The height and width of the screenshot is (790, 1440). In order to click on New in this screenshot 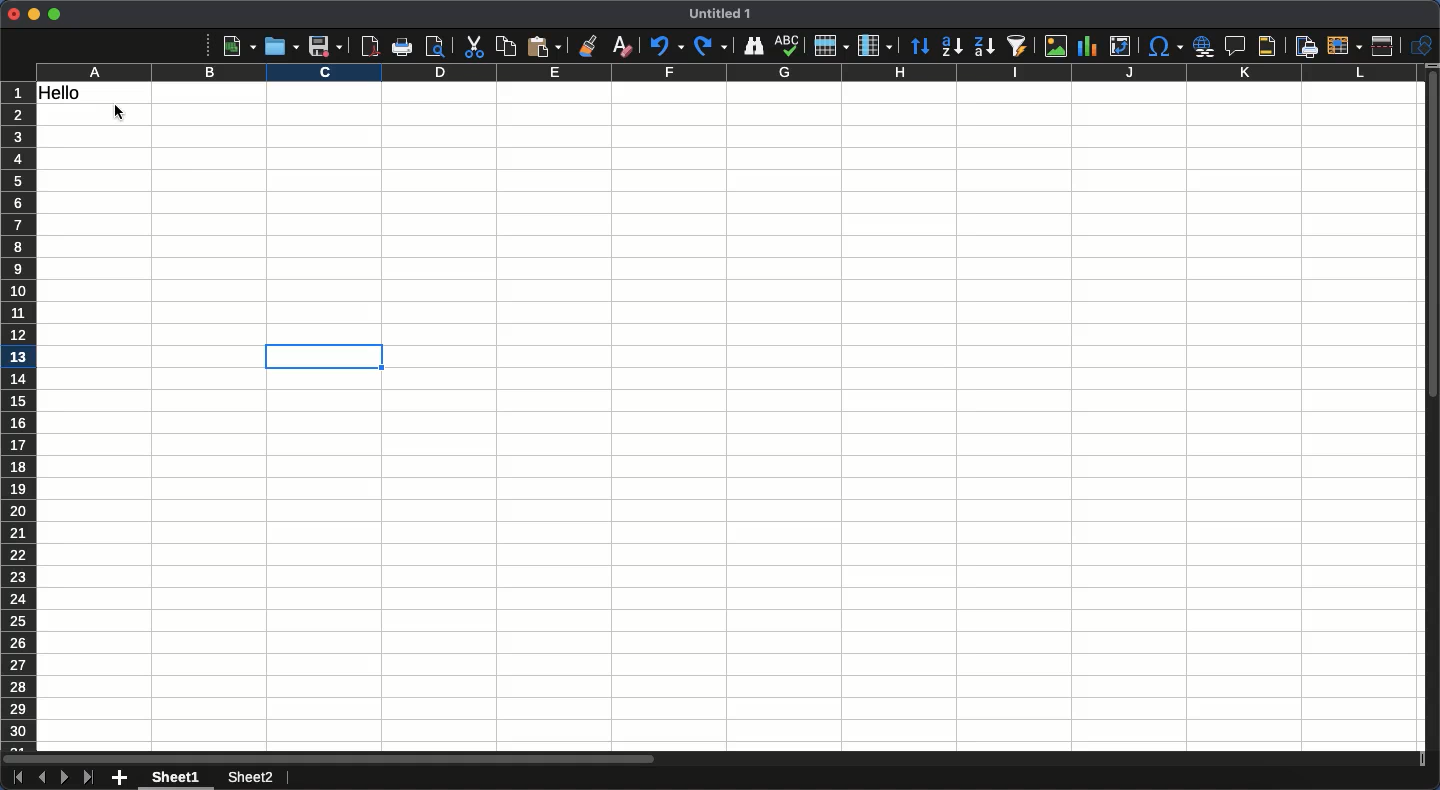, I will do `click(239, 45)`.